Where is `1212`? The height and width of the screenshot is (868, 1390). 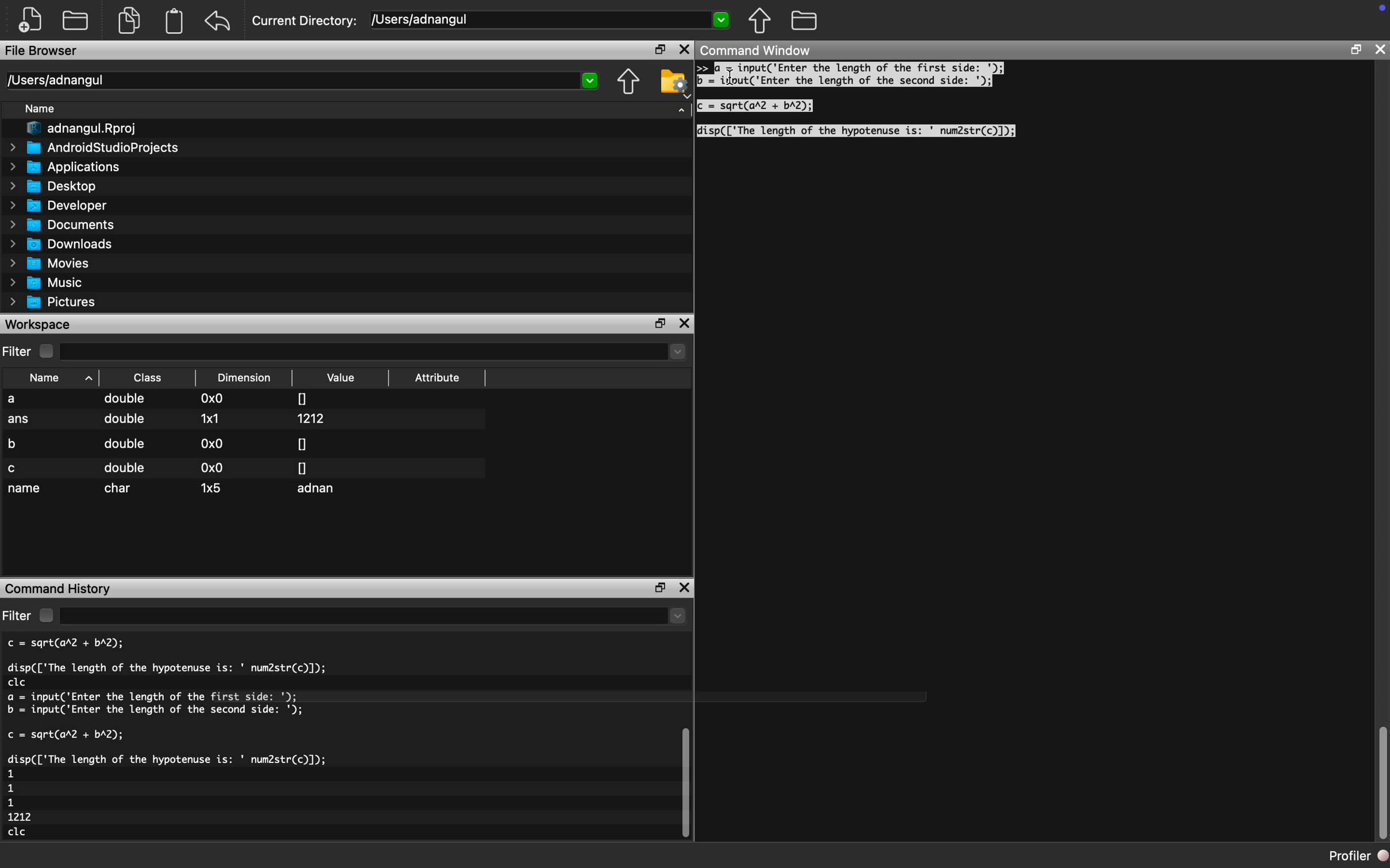 1212 is located at coordinates (314, 418).